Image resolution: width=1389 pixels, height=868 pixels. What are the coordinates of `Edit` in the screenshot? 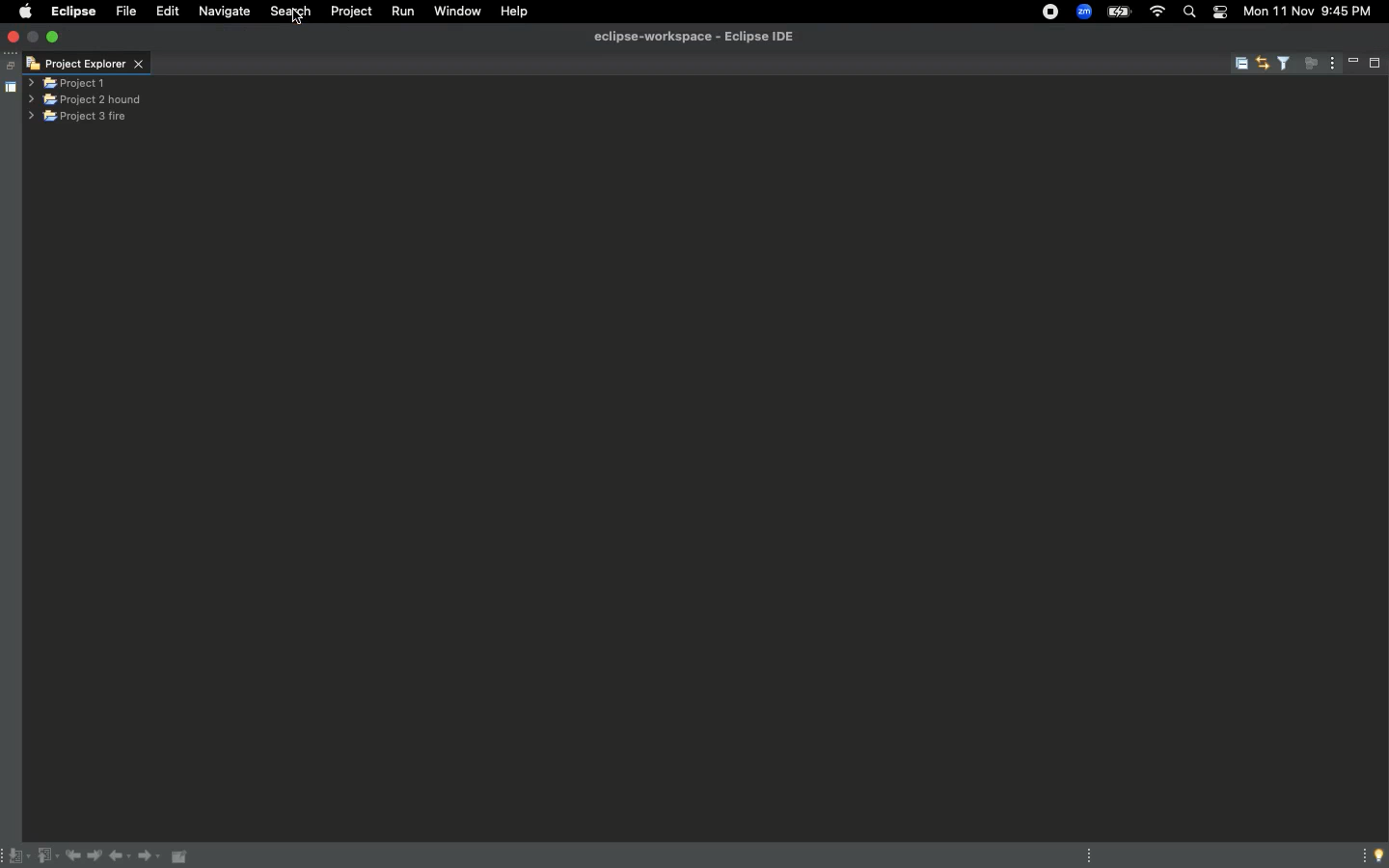 It's located at (172, 14).